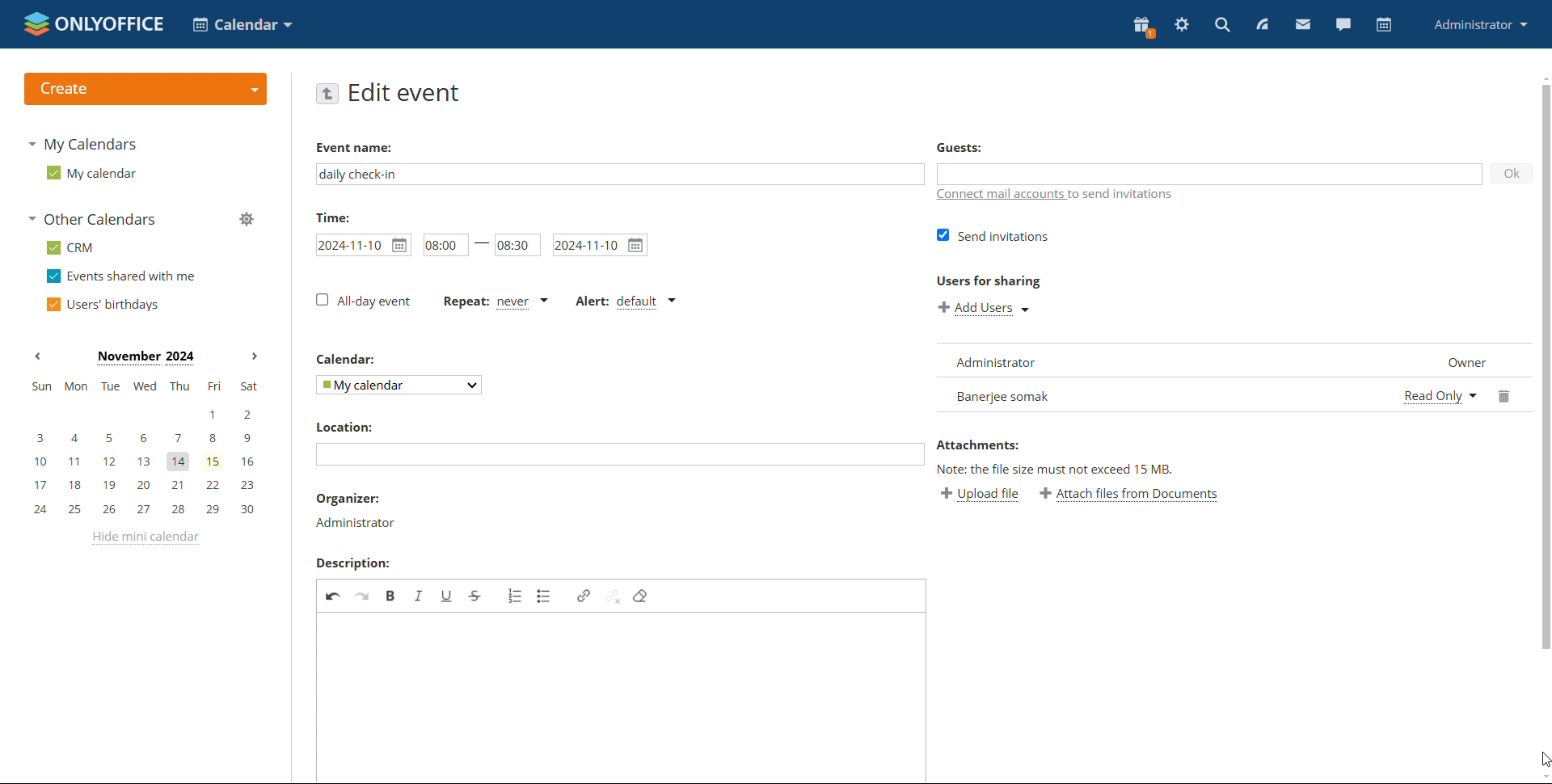  Describe the element at coordinates (1144, 27) in the screenshot. I see `present` at that location.